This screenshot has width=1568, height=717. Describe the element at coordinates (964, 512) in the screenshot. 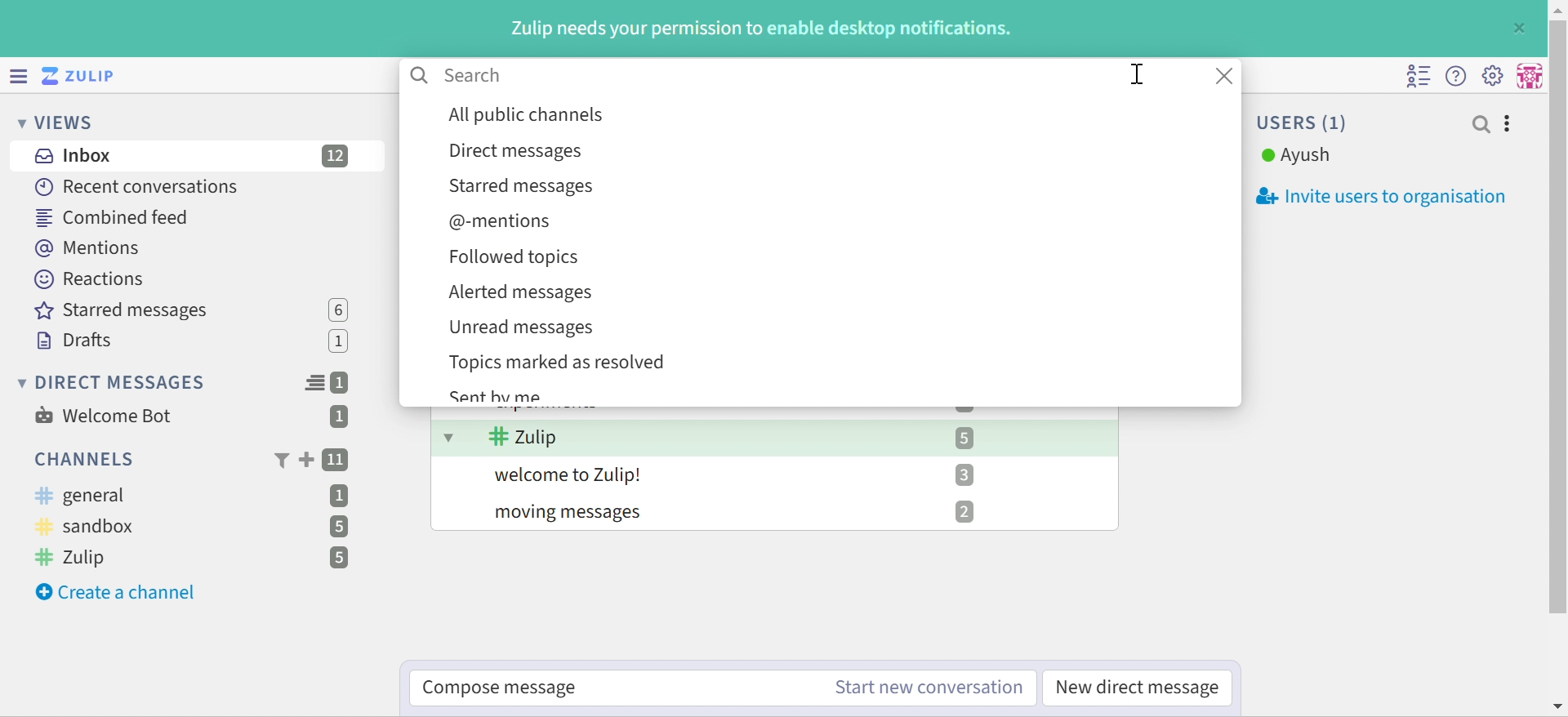

I see `2` at that location.